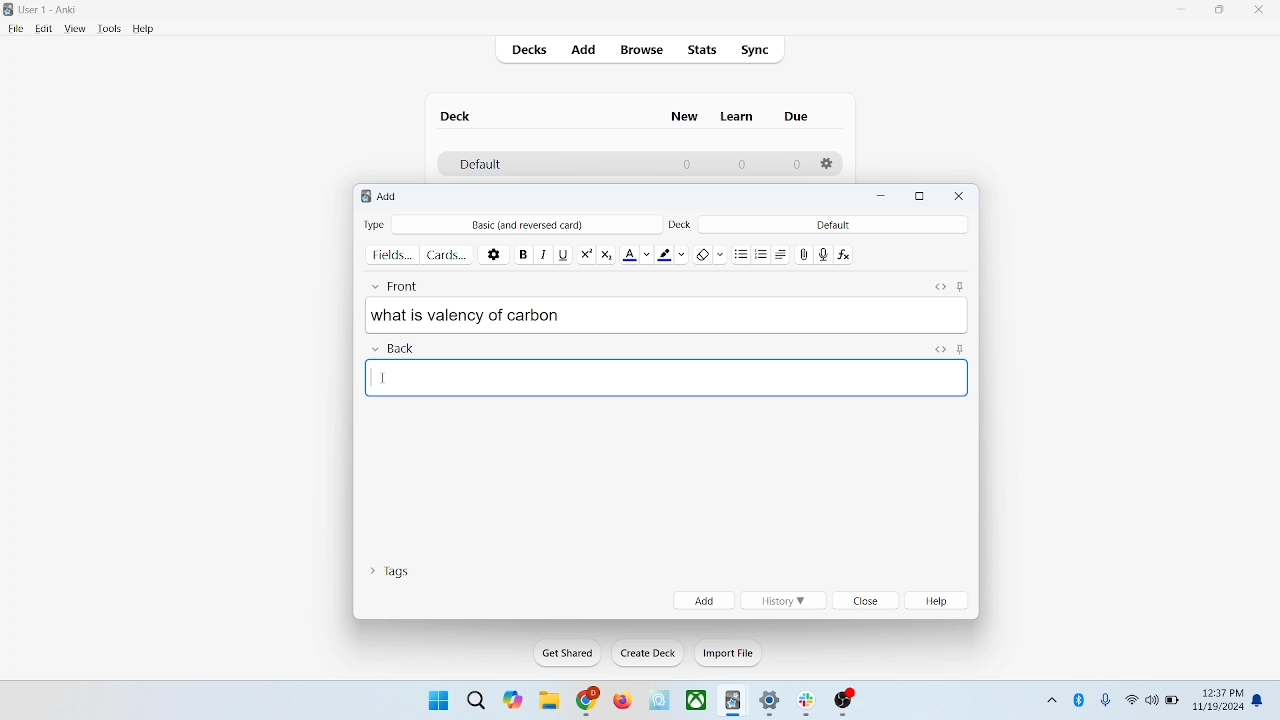 This screenshot has width=1280, height=720. I want to click on themes, so click(513, 700).